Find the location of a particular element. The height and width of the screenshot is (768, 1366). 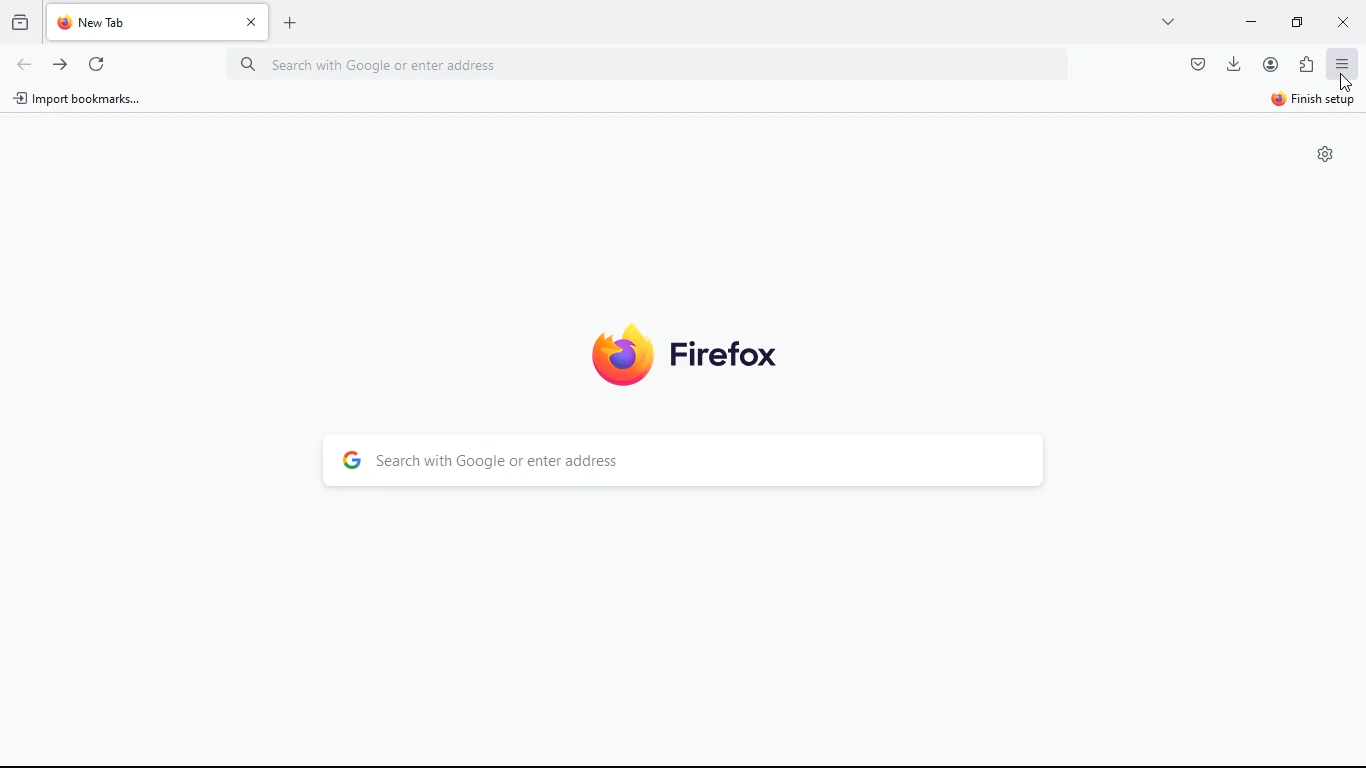

Search bar is located at coordinates (649, 66).